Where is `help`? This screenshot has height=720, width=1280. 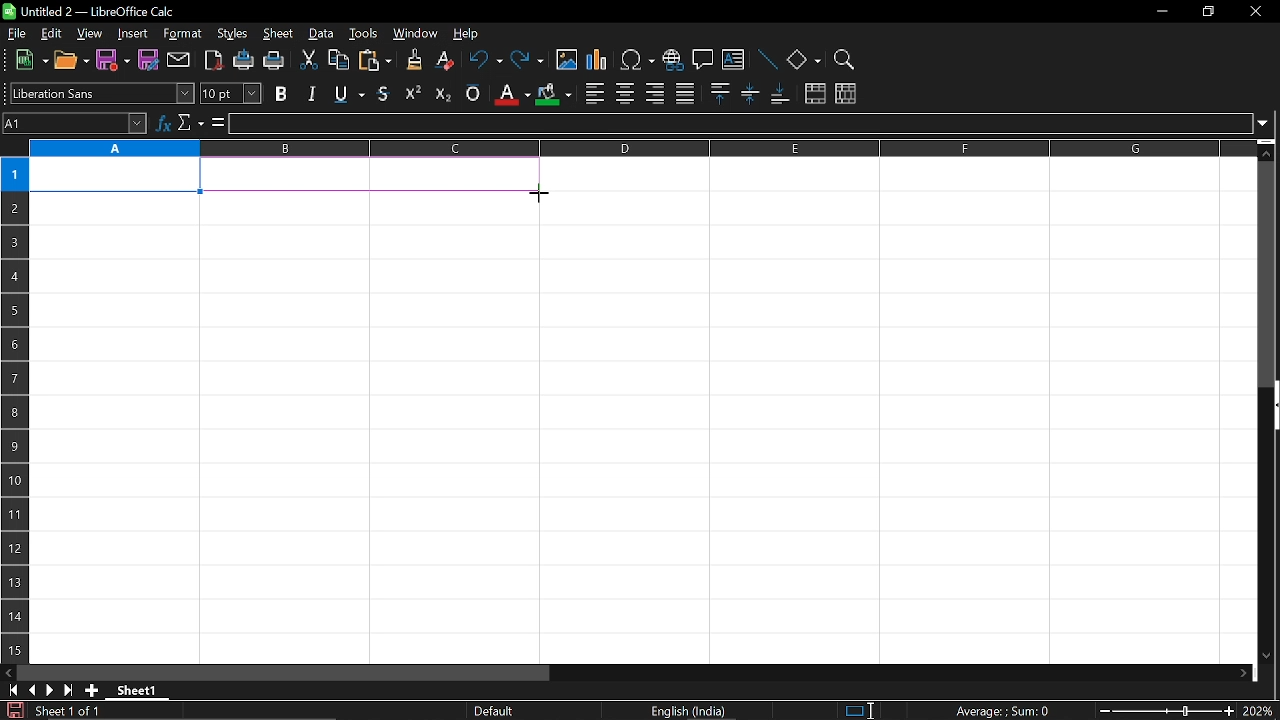 help is located at coordinates (474, 32).